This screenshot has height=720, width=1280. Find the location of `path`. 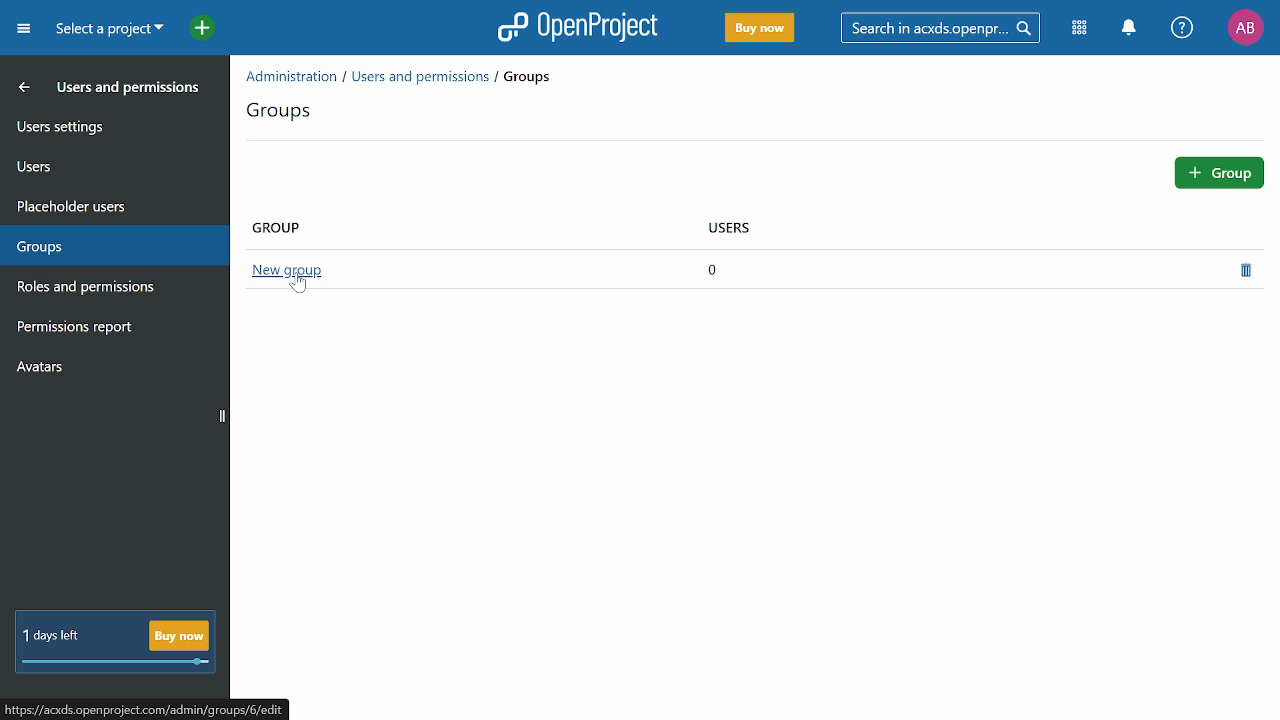

path is located at coordinates (147, 708).